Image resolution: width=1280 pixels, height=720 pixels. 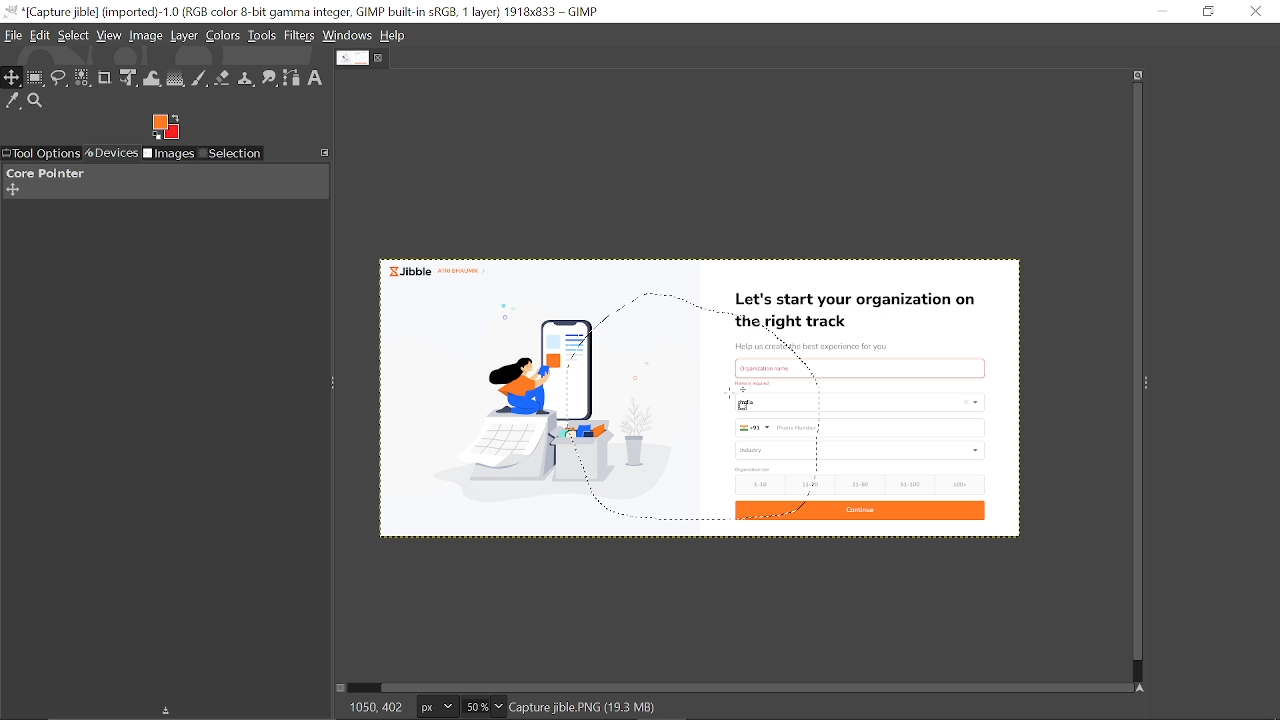 What do you see at coordinates (200, 80) in the screenshot?
I see `Paintbrush tool` at bounding box center [200, 80].